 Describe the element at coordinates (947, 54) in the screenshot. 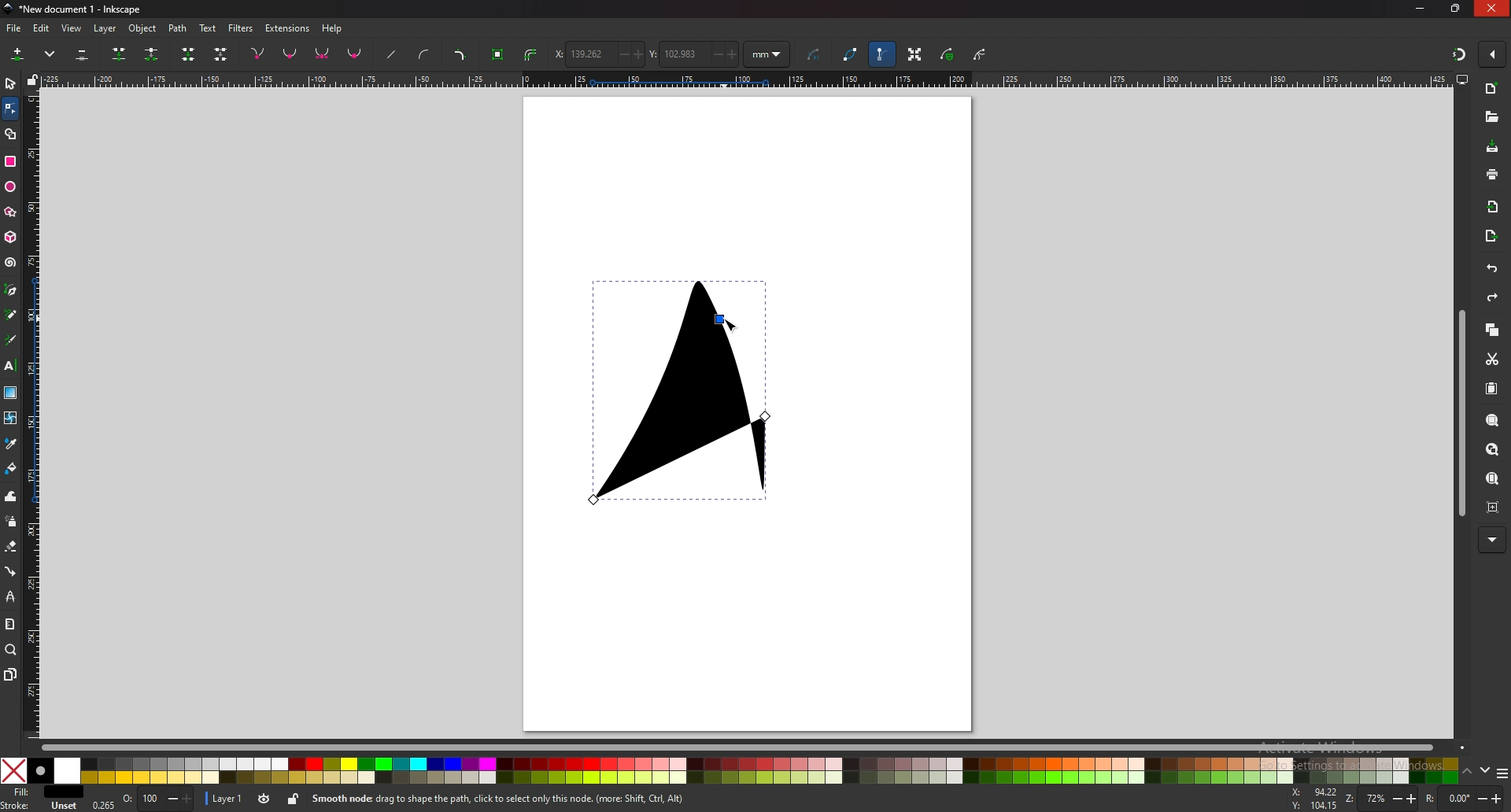

I see `show mask` at that location.